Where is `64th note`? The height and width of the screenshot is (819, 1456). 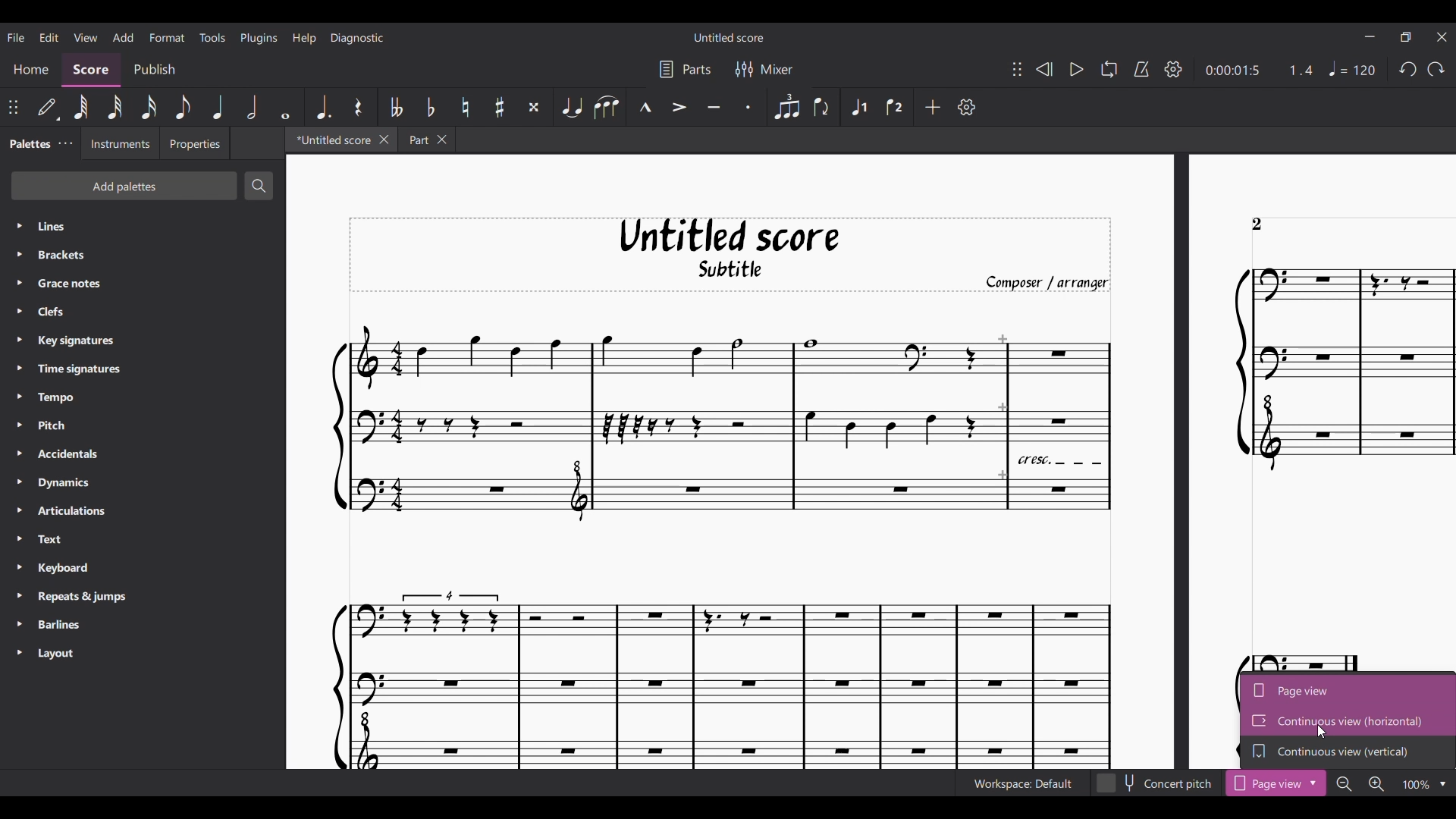 64th note is located at coordinates (80, 106).